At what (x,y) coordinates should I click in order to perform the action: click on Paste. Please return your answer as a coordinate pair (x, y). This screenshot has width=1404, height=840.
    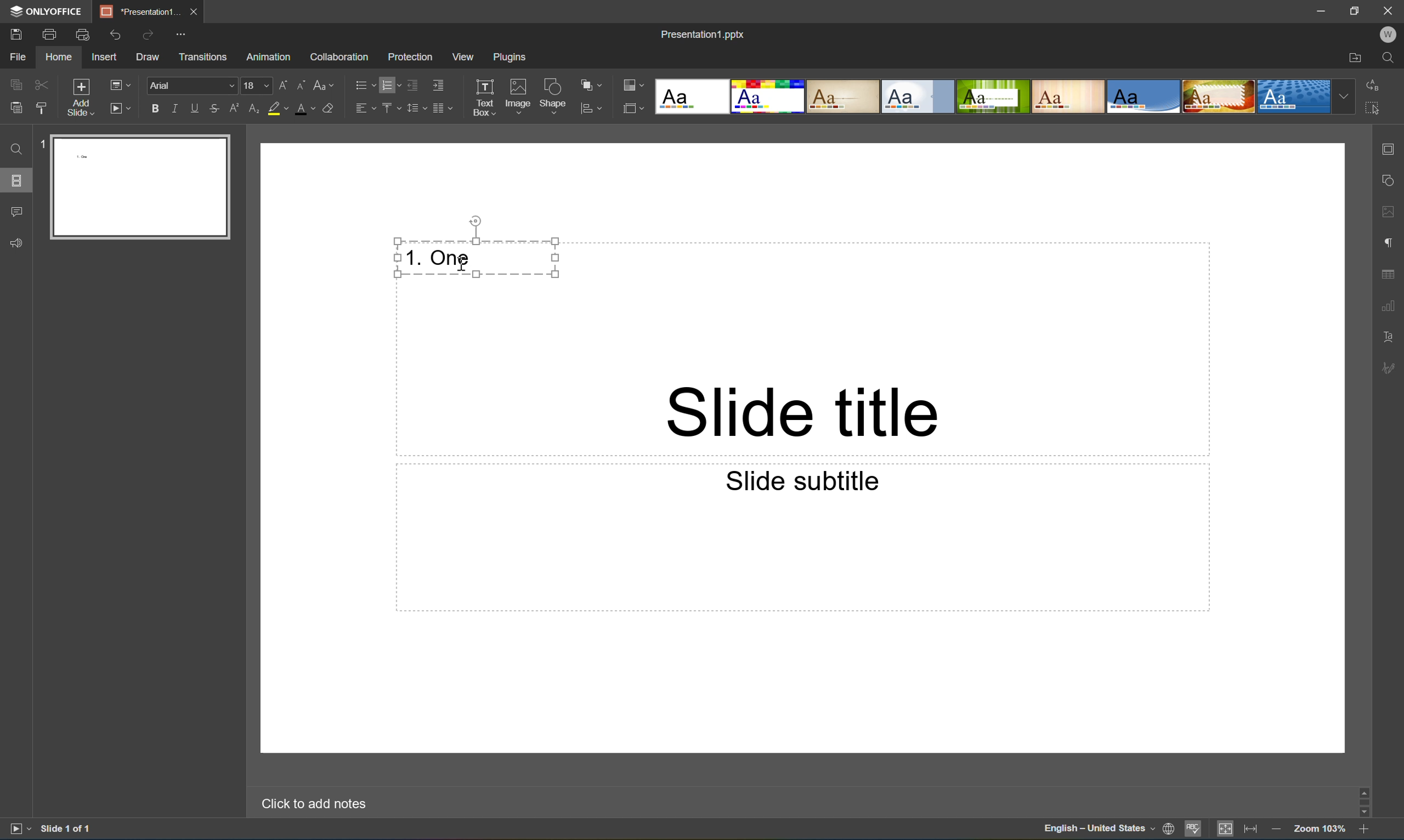
    Looking at the image, I should click on (145, 187).